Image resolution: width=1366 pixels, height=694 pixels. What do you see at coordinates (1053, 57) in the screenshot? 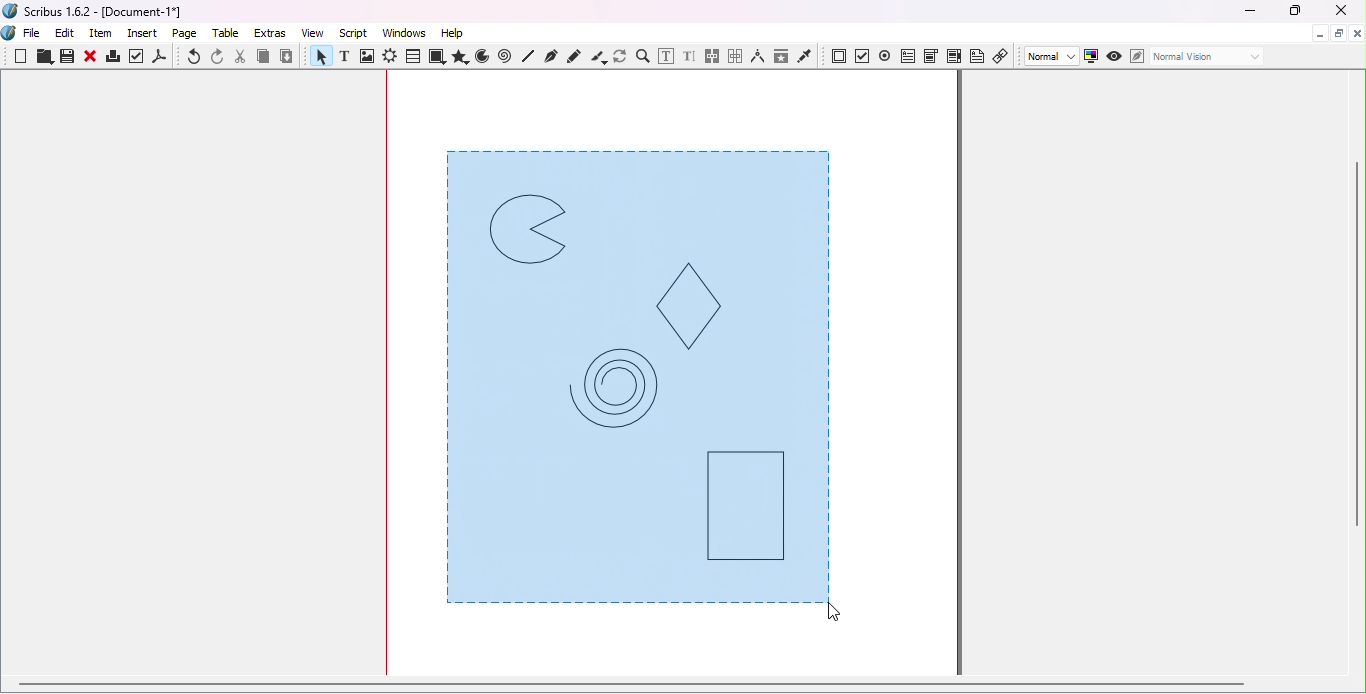
I see `Select image preview quality` at bounding box center [1053, 57].